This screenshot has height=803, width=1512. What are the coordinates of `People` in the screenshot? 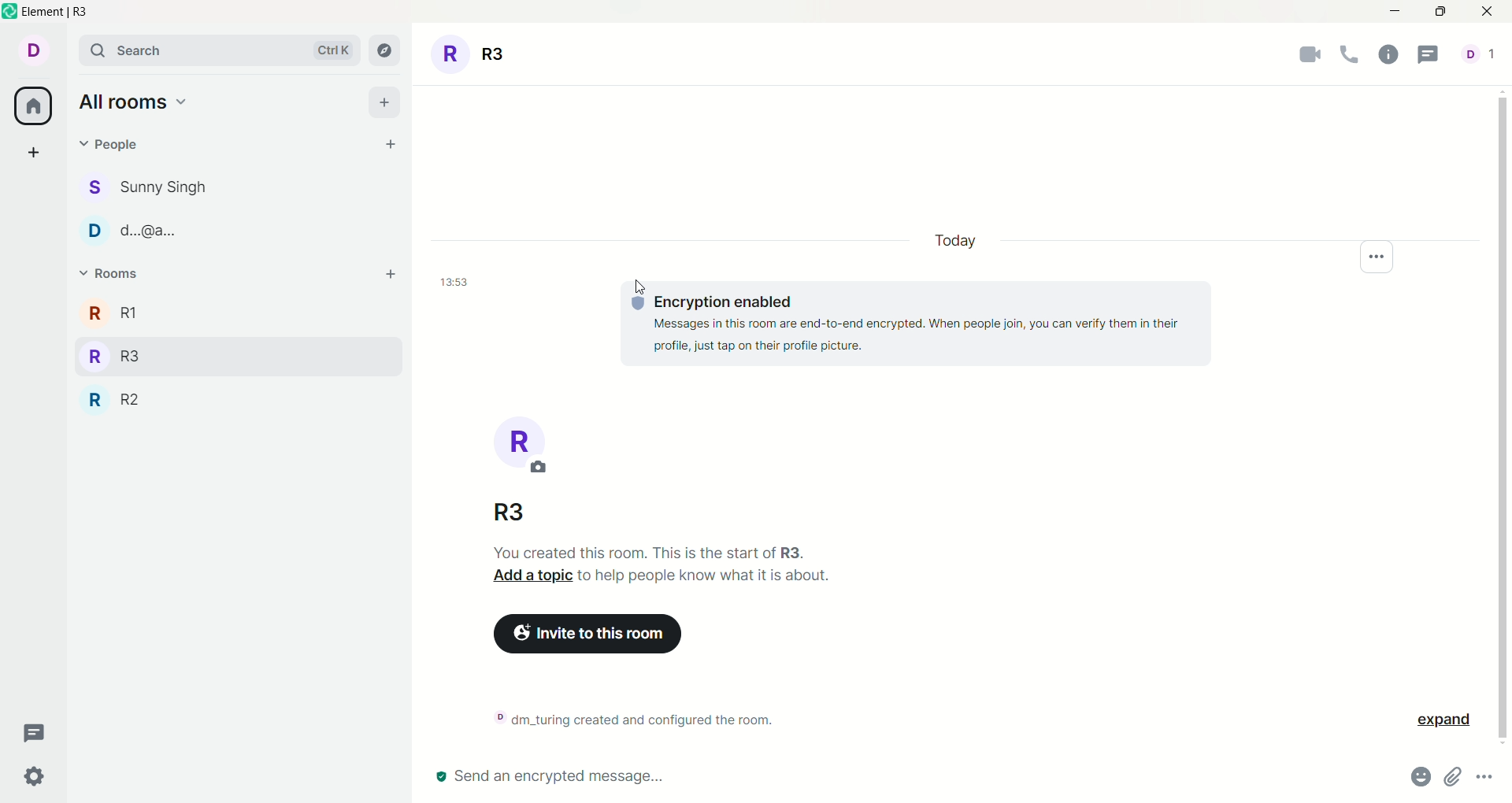 It's located at (129, 233).